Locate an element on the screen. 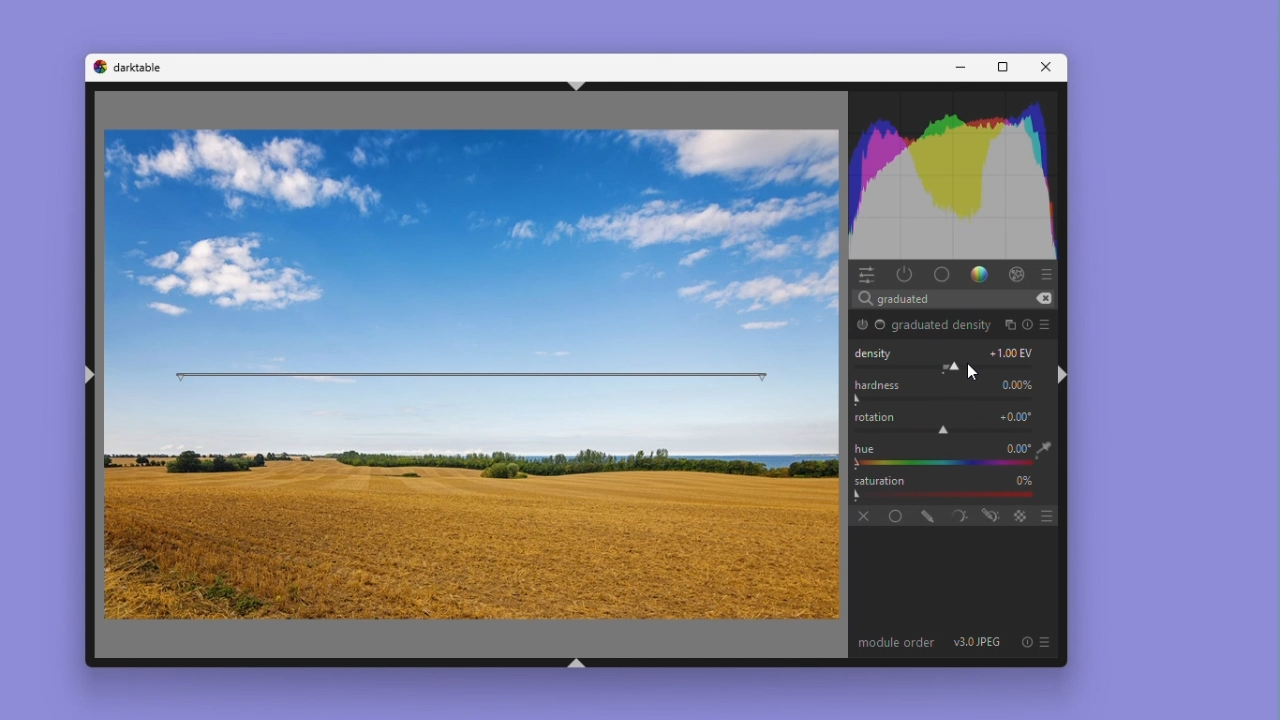 This screenshot has width=1280, height=720. Maximise is located at coordinates (999, 68).